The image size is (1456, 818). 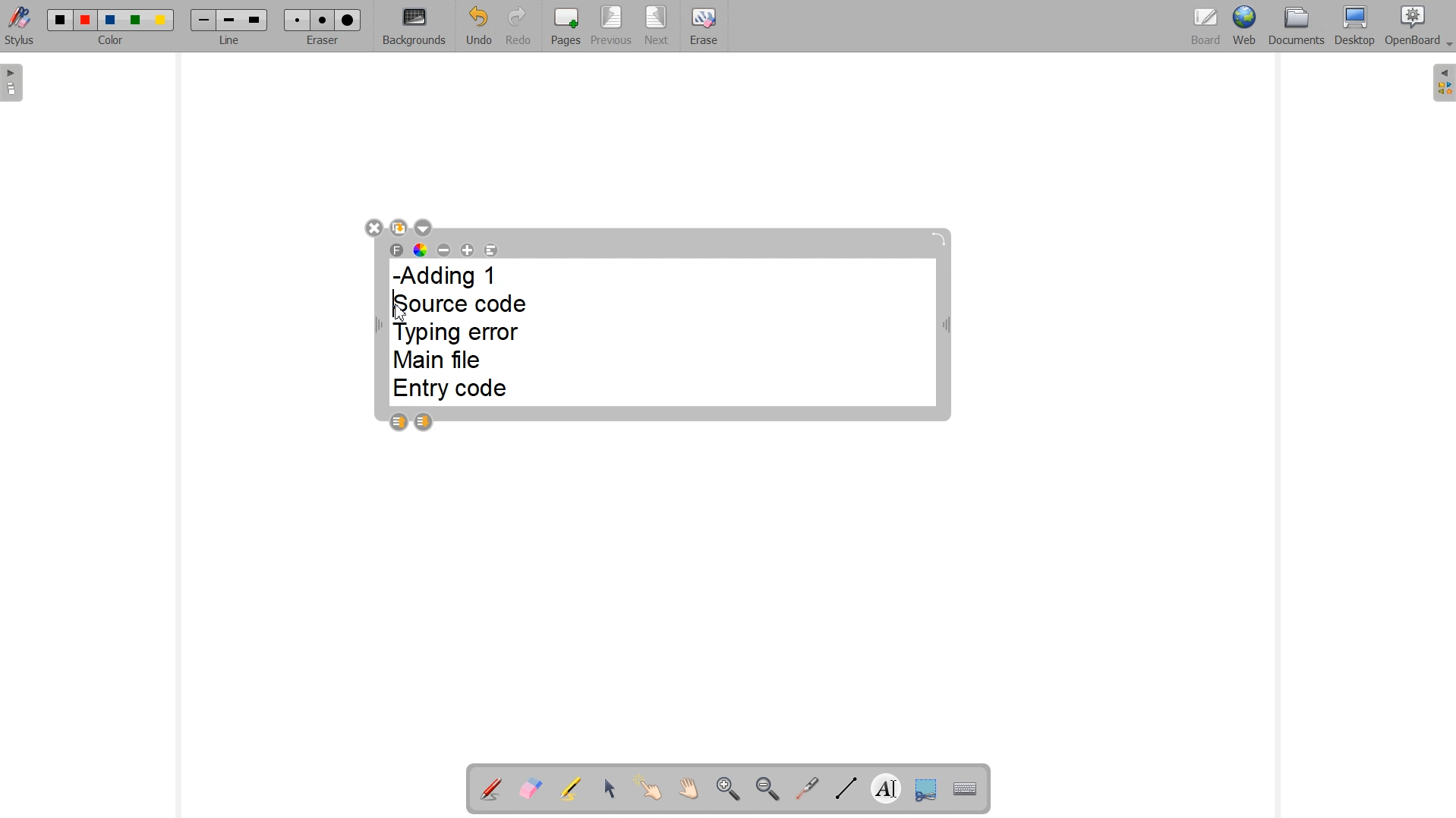 What do you see at coordinates (61, 20) in the screenshot?
I see `Color 1` at bounding box center [61, 20].